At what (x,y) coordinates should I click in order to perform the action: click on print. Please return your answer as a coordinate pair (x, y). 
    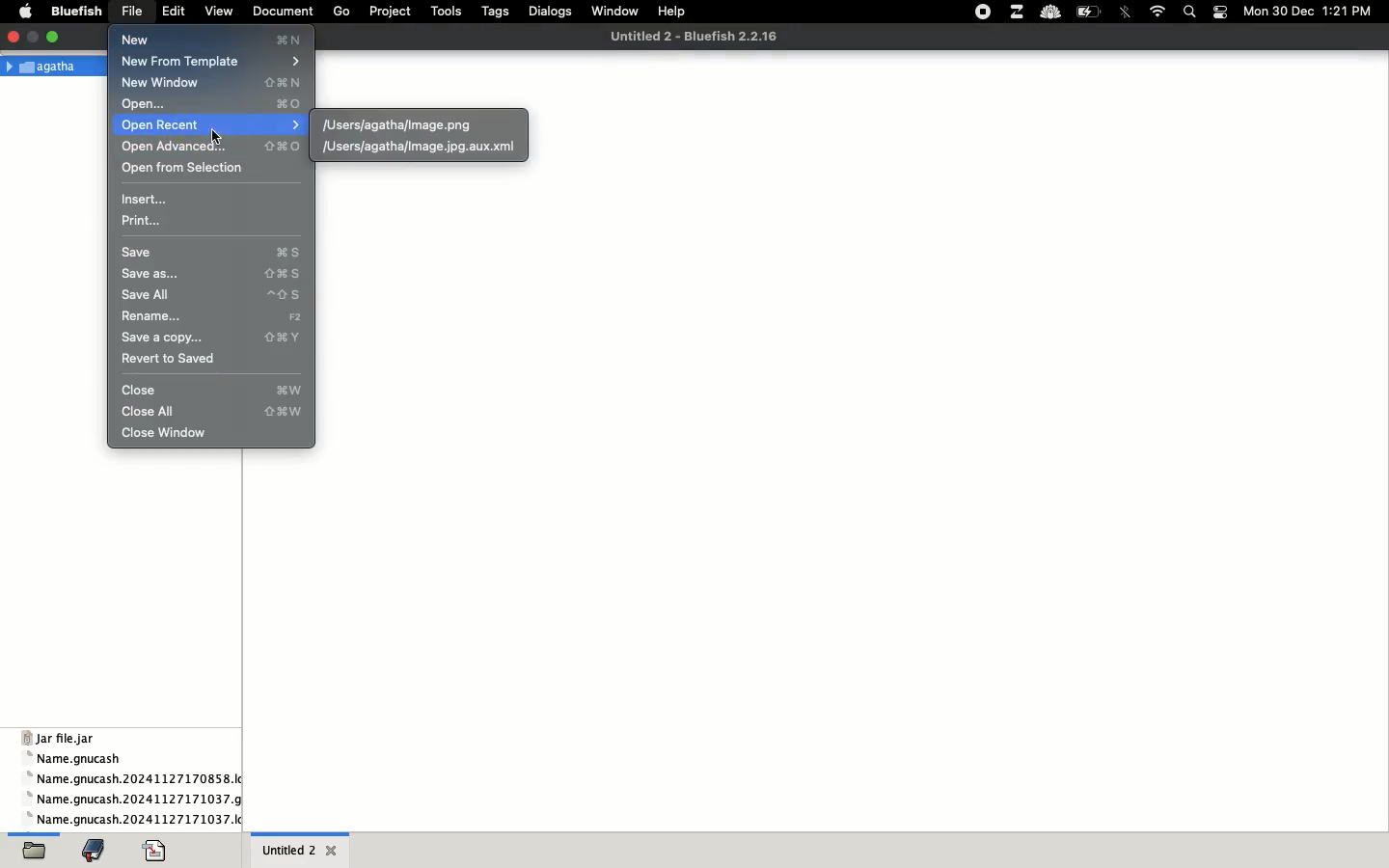
    Looking at the image, I should click on (141, 220).